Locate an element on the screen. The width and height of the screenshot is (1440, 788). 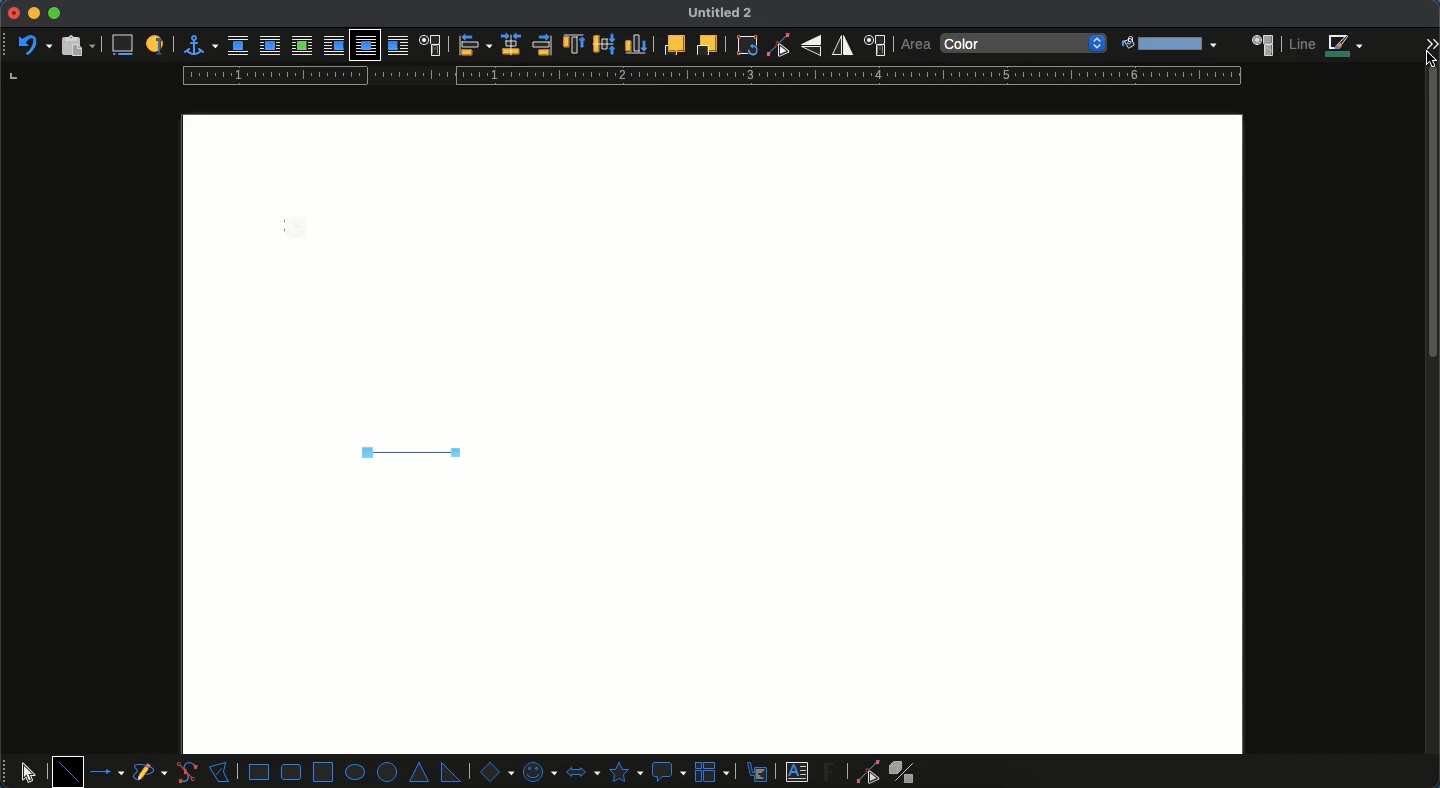
position and size is located at coordinates (874, 45).